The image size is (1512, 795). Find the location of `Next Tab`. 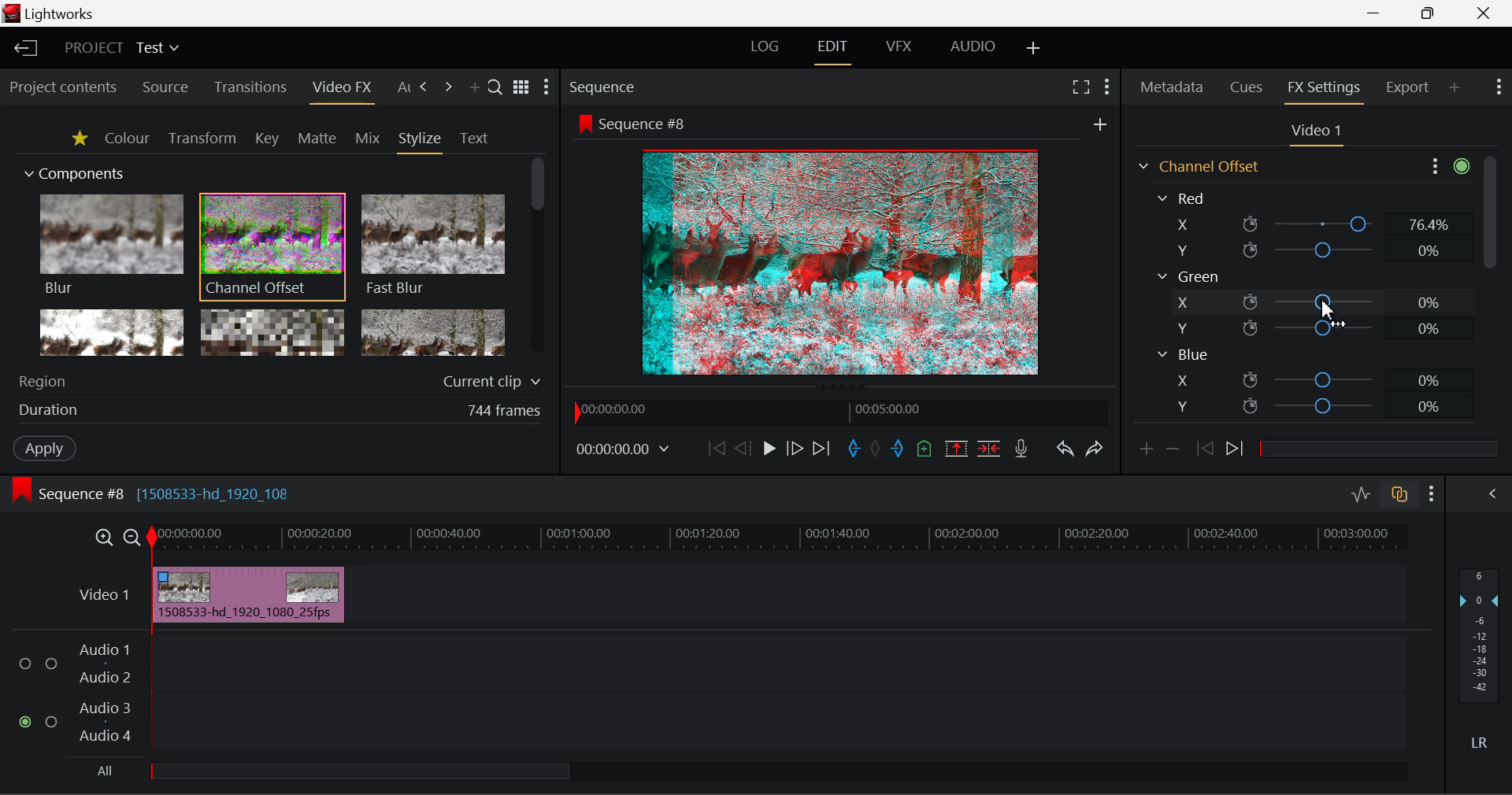

Next Tab is located at coordinates (425, 87).